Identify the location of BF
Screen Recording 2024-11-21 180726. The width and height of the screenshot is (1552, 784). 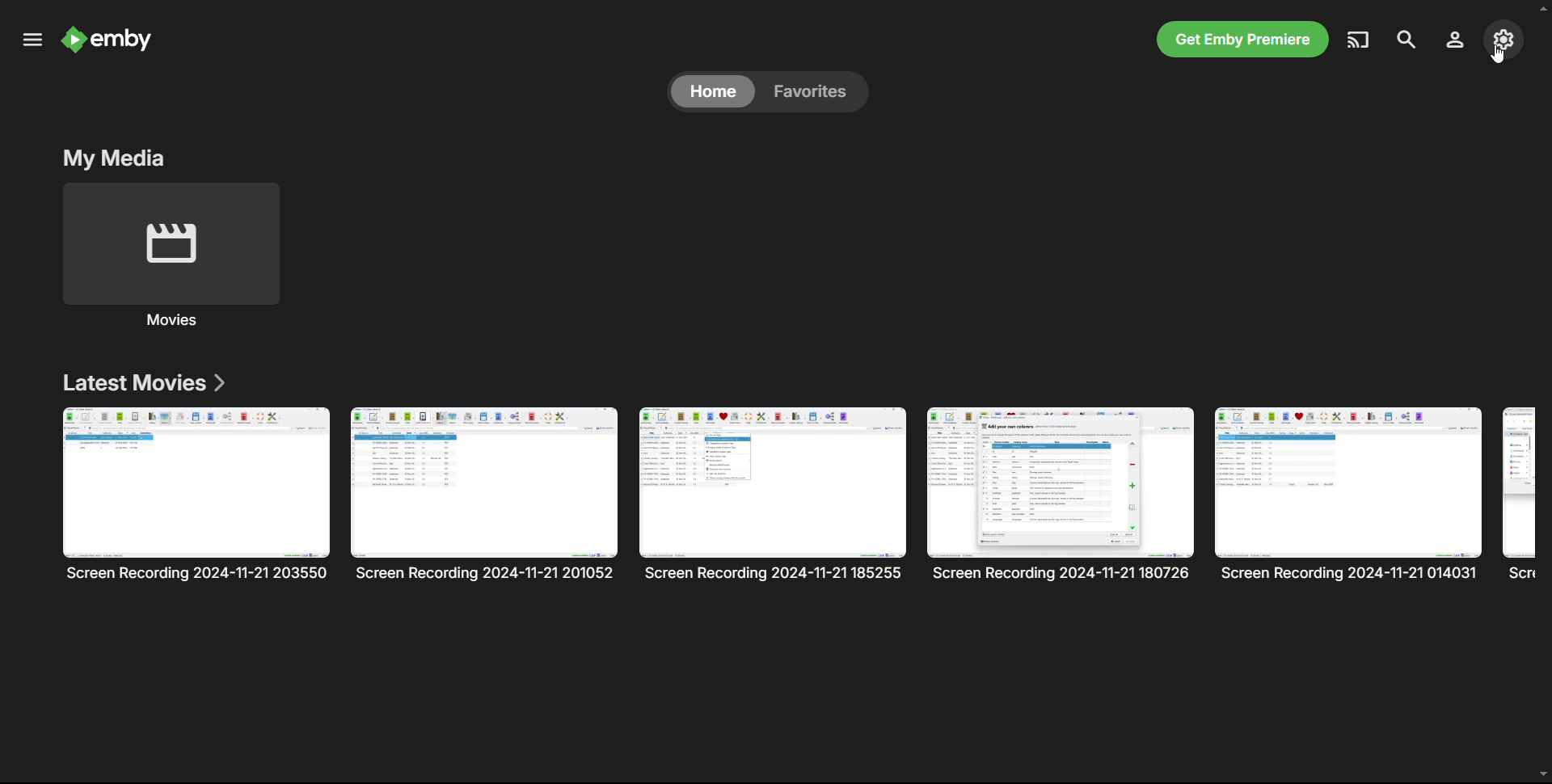
(1060, 495).